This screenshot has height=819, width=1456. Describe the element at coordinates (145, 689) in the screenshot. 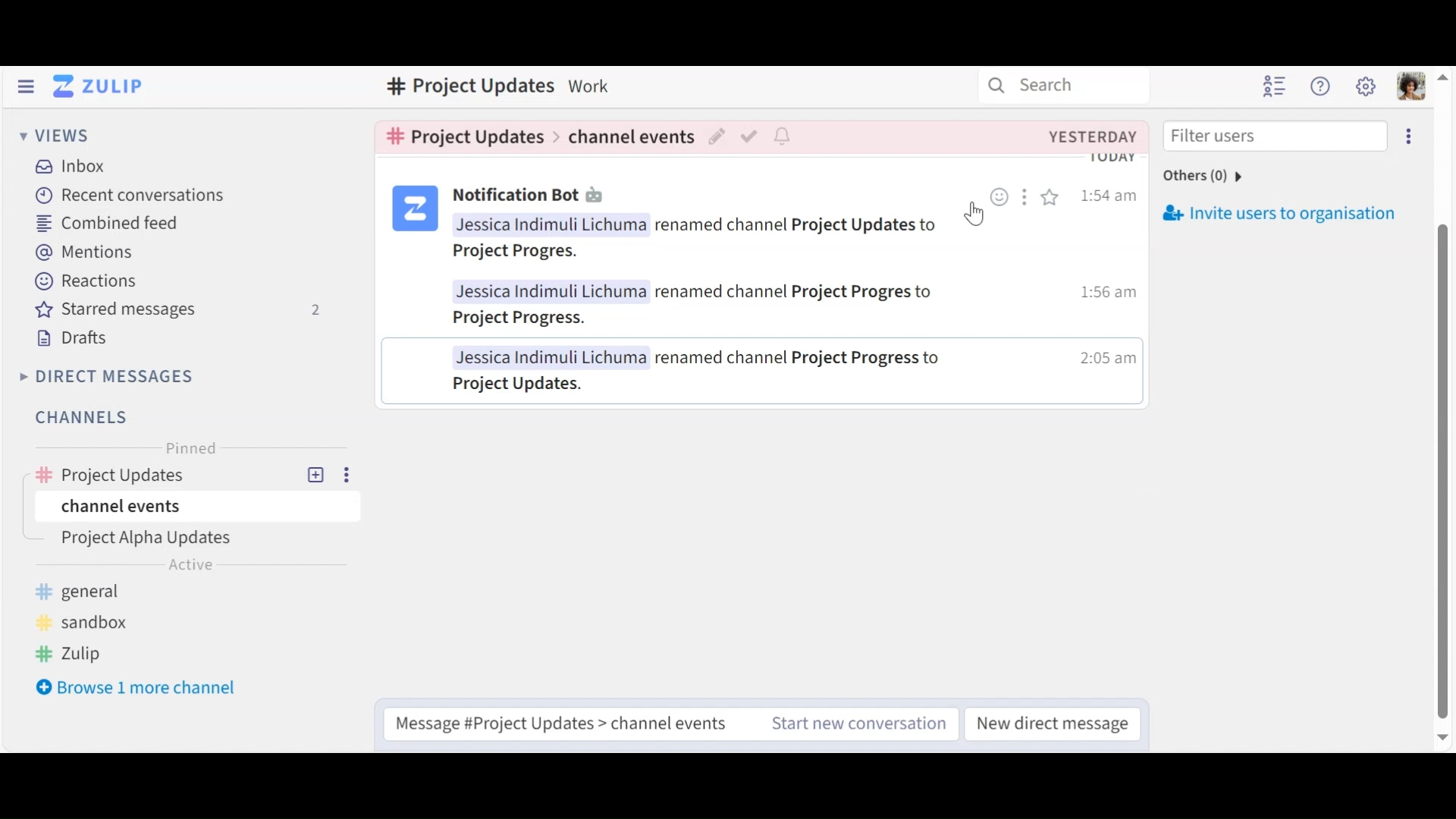

I see `Bowser 1 more channel` at that location.